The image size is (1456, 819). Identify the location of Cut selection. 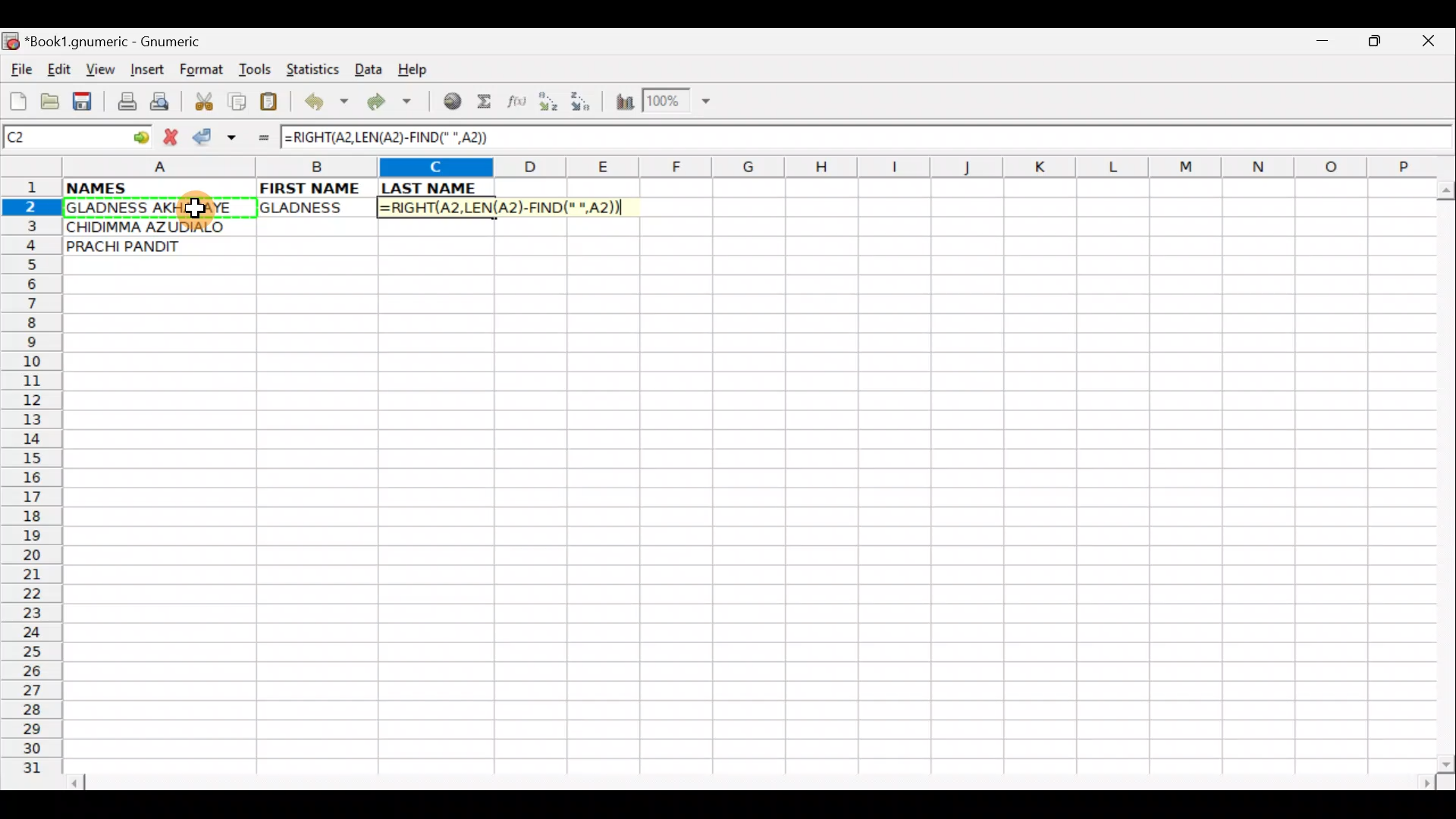
(203, 99).